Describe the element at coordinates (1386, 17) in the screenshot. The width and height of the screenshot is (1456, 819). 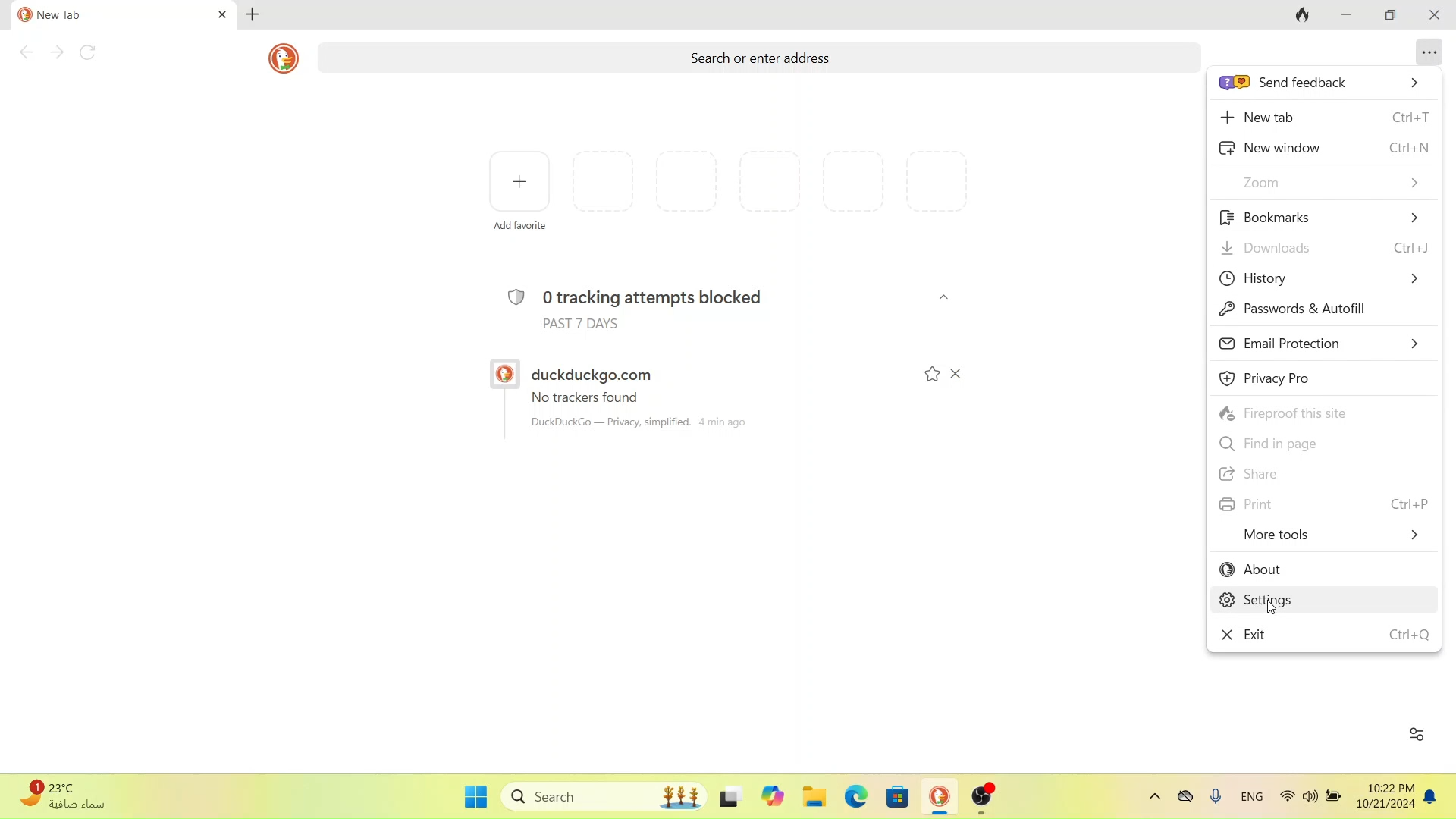
I see `restore  window` at that location.